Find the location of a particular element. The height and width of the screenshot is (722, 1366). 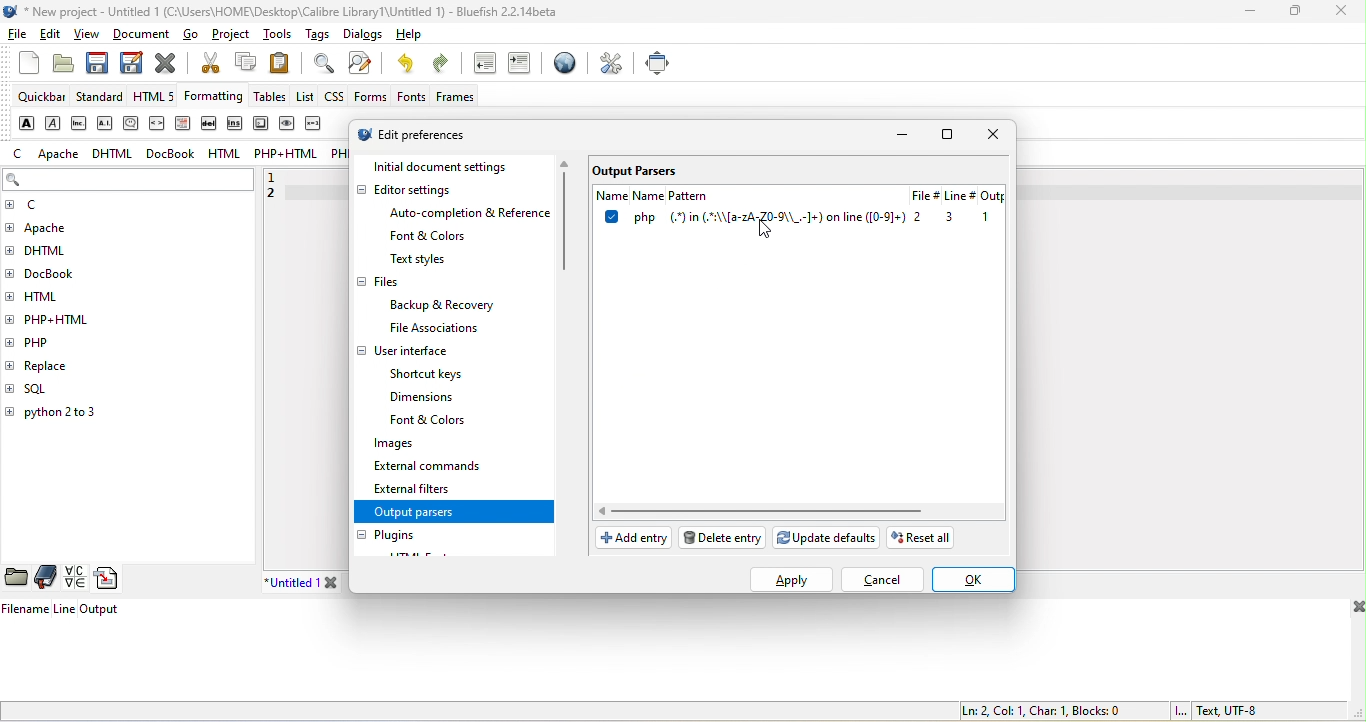

ok is located at coordinates (976, 580).